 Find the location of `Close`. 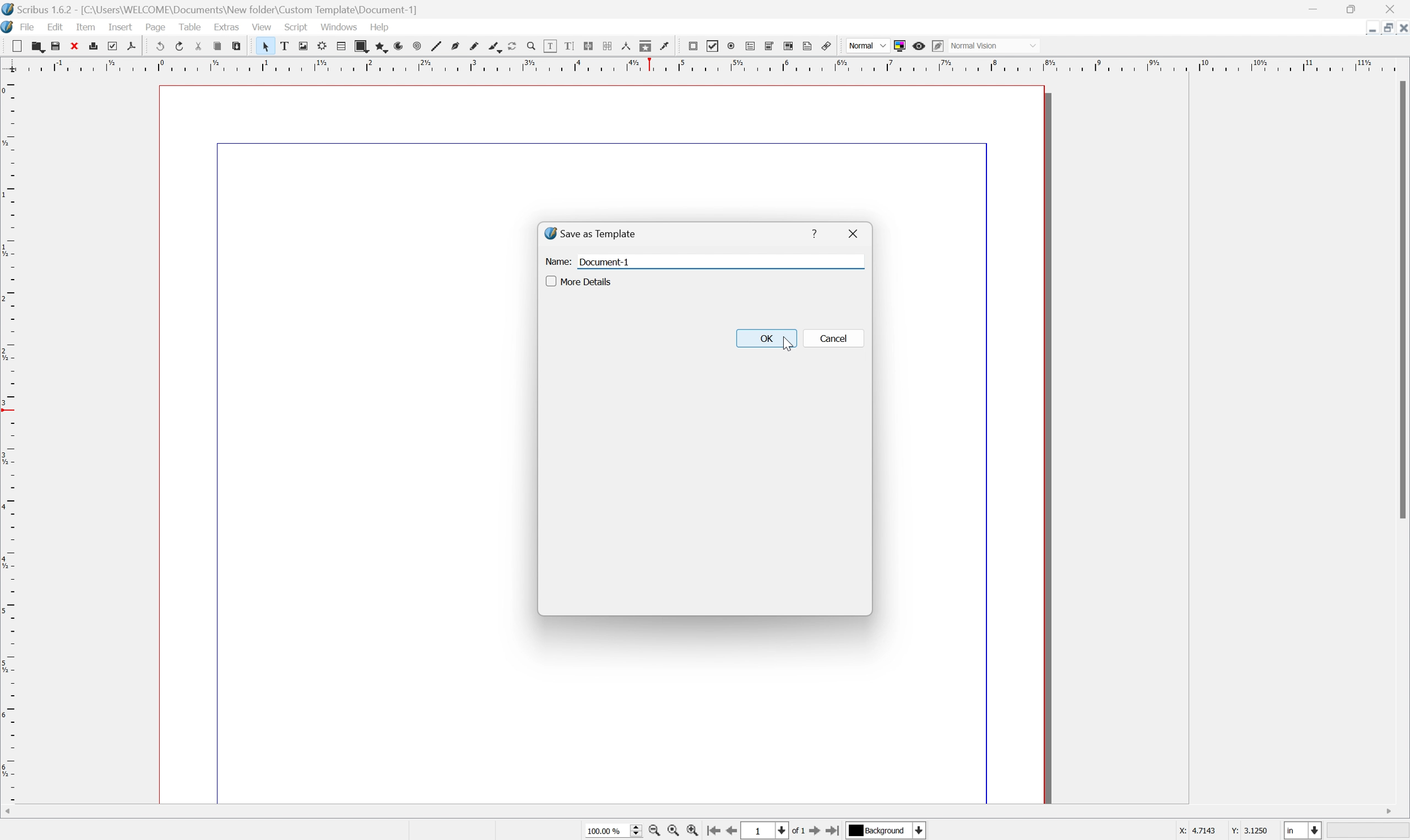

Close is located at coordinates (1392, 9).